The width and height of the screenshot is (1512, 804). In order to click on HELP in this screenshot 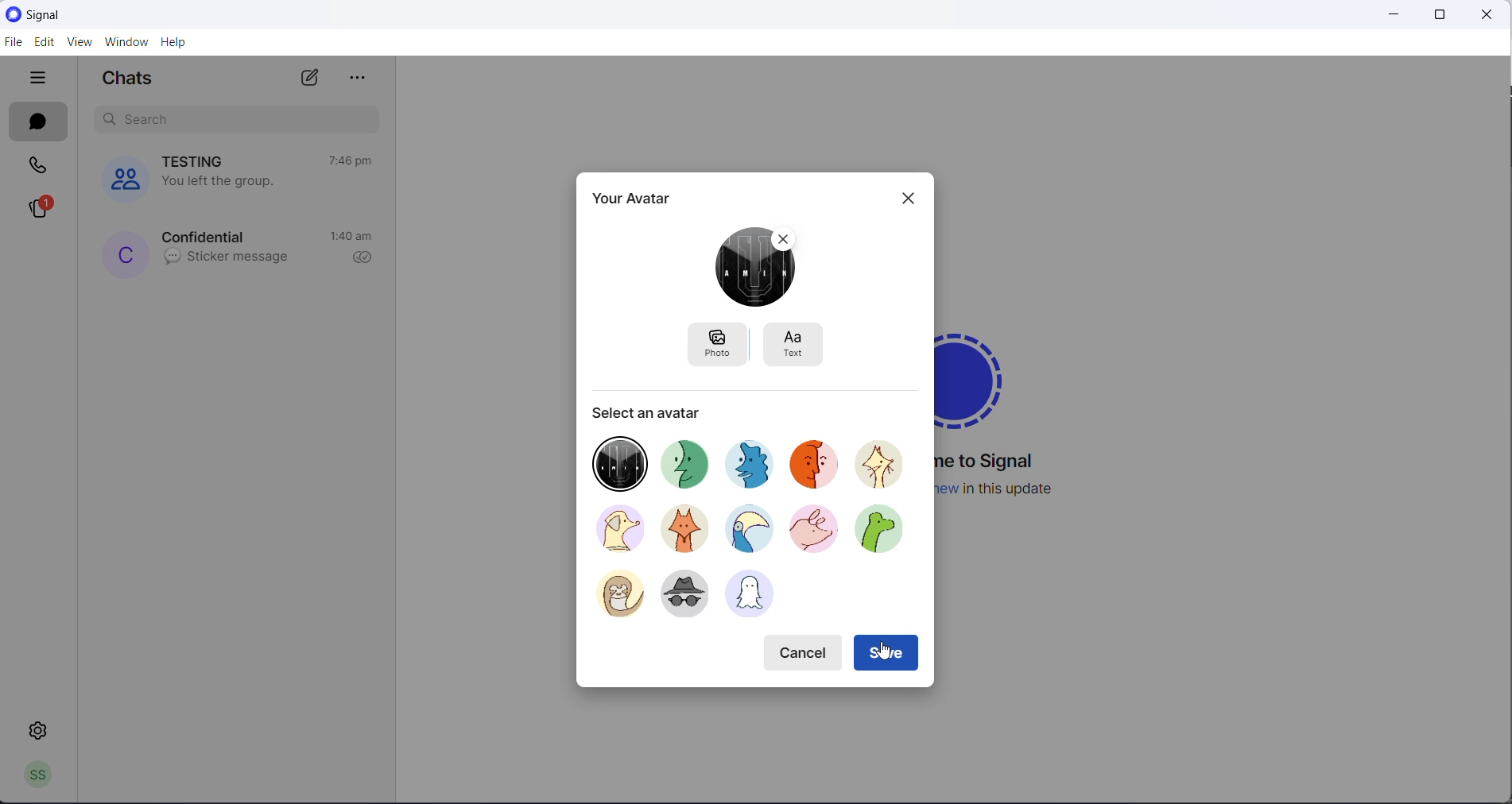, I will do `click(174, 41)`.